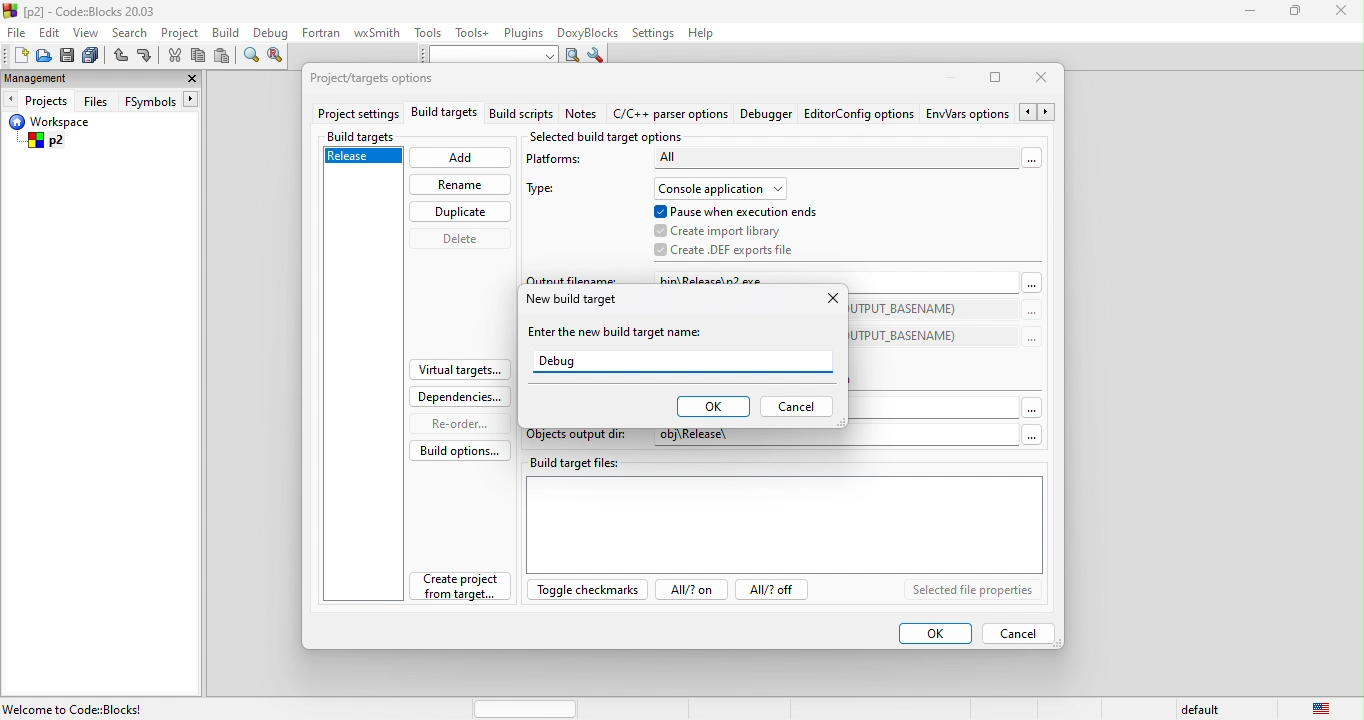 This screenshot has width=1364, height=720. Describe the element at coordinates (980, 591) in the screenshot. I see `selected file properties` at that location.